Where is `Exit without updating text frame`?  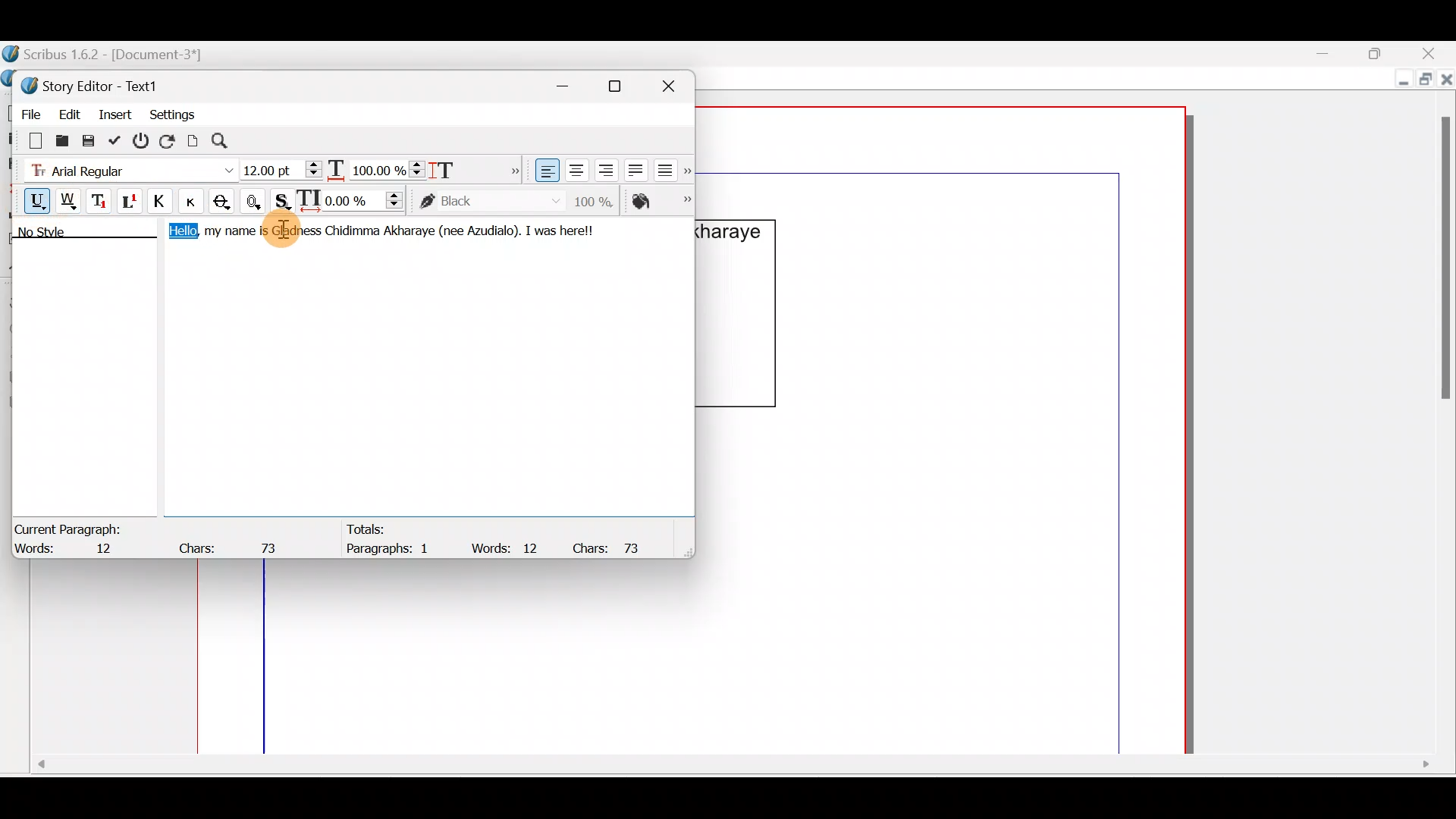 Exit without updating text frame is located at coordinates (143, 140).